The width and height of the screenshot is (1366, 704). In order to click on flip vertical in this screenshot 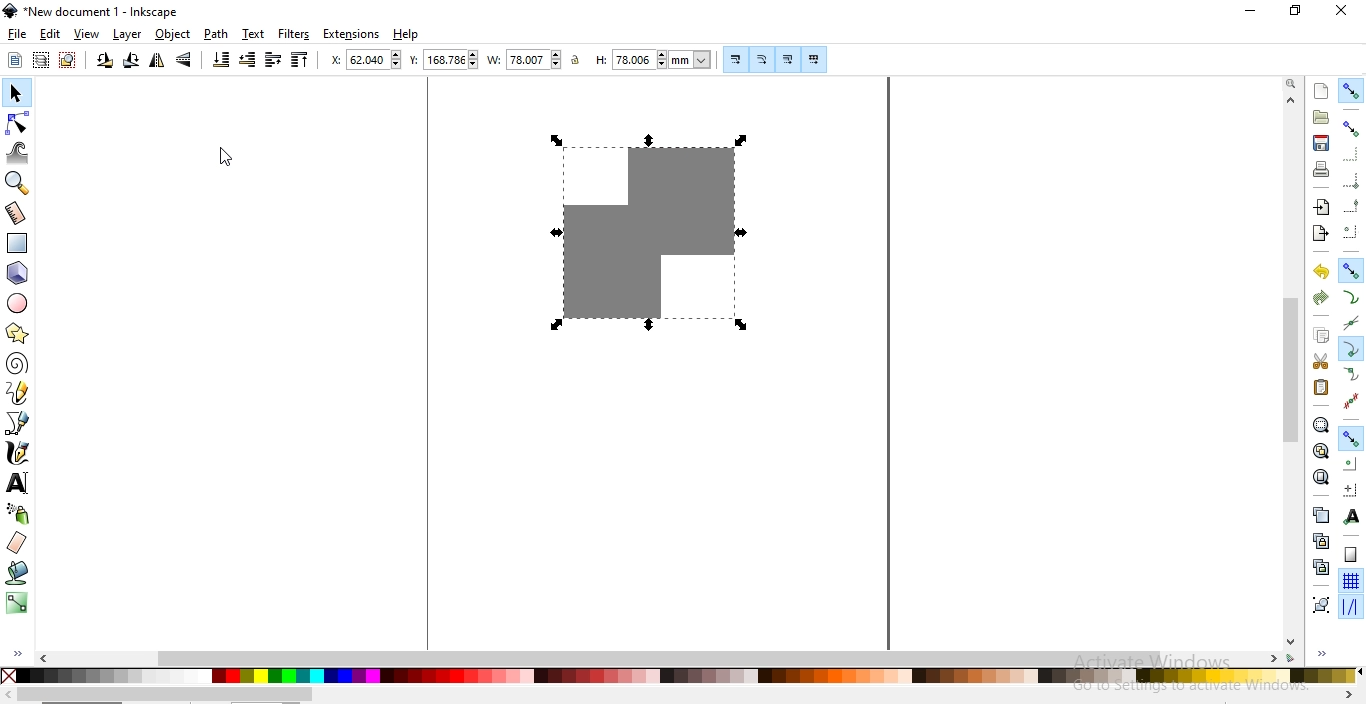, I will do `click(186, 60)`.